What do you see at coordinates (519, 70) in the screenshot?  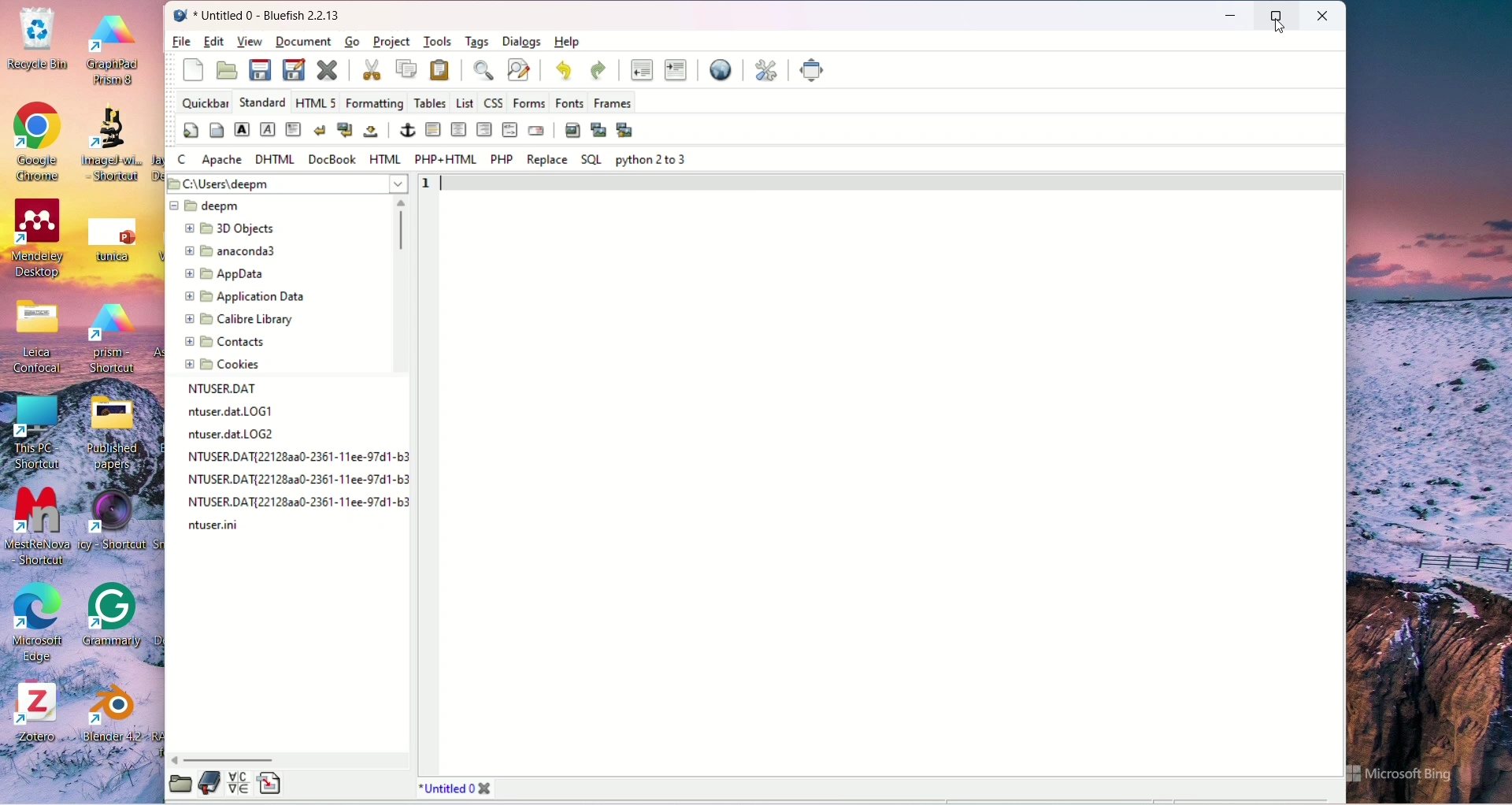 I see `advanced find and replace` at bounding box center [519, 70].